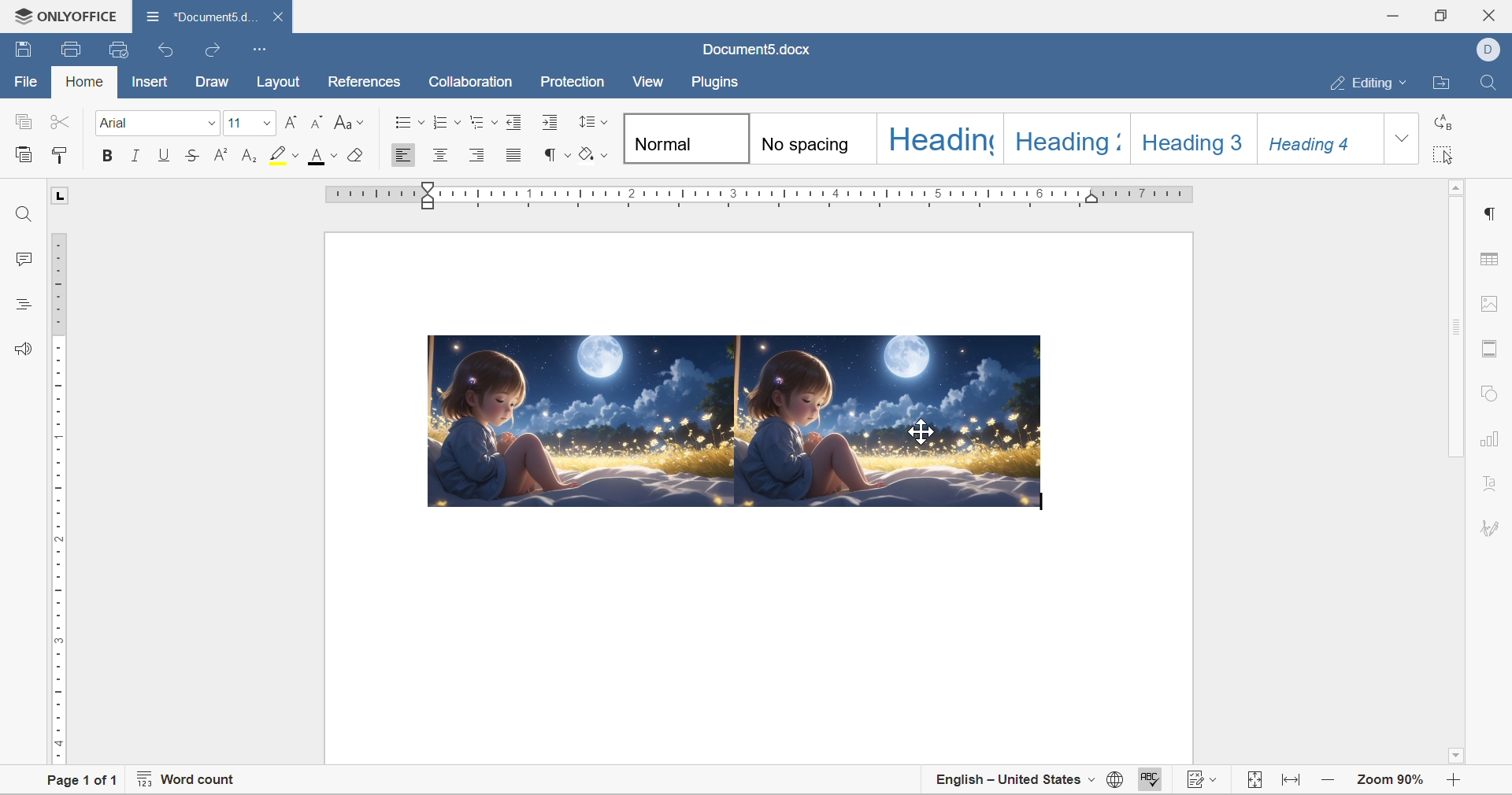 Image resolution: width=1512 pixels, height=795 pixels. Describe the element at coordinates (1255, 780) in the screenshot. I see `fit to page` at that location.